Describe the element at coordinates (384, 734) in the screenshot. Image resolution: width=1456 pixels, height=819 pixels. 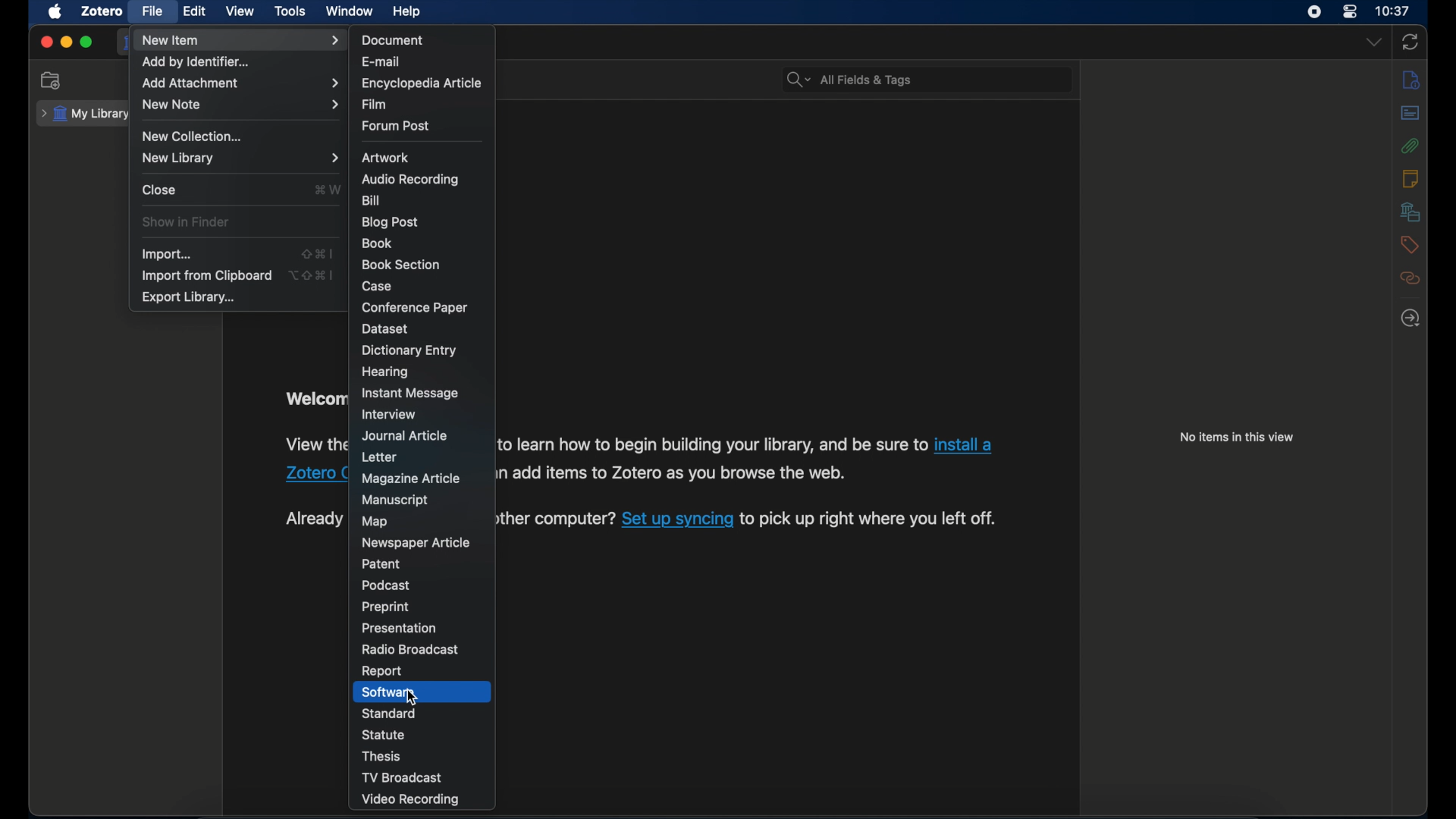
I see `statue` at that location.